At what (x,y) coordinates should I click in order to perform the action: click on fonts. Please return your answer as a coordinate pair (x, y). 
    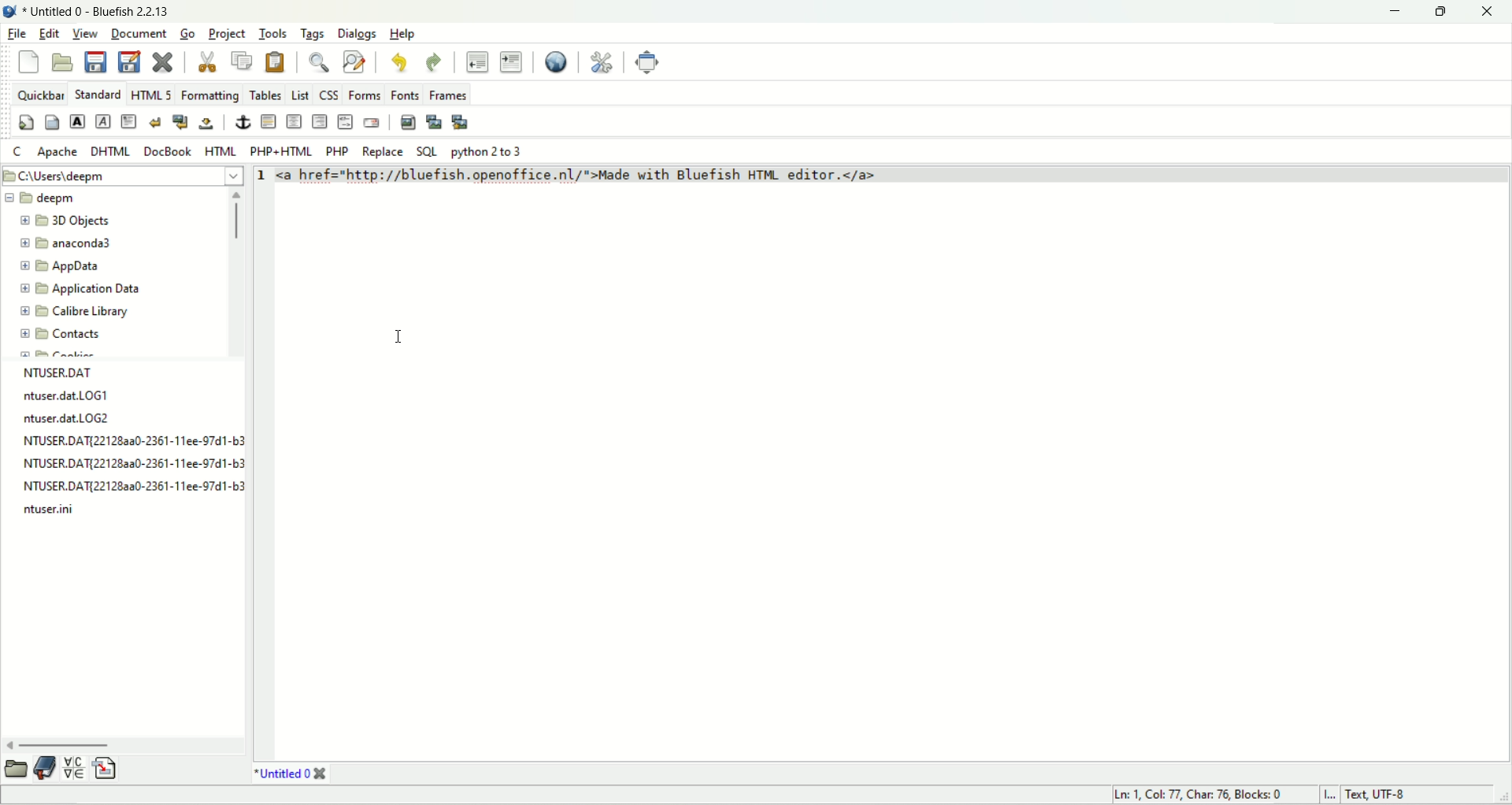
    Looking at the image, I should click on (404, 95).